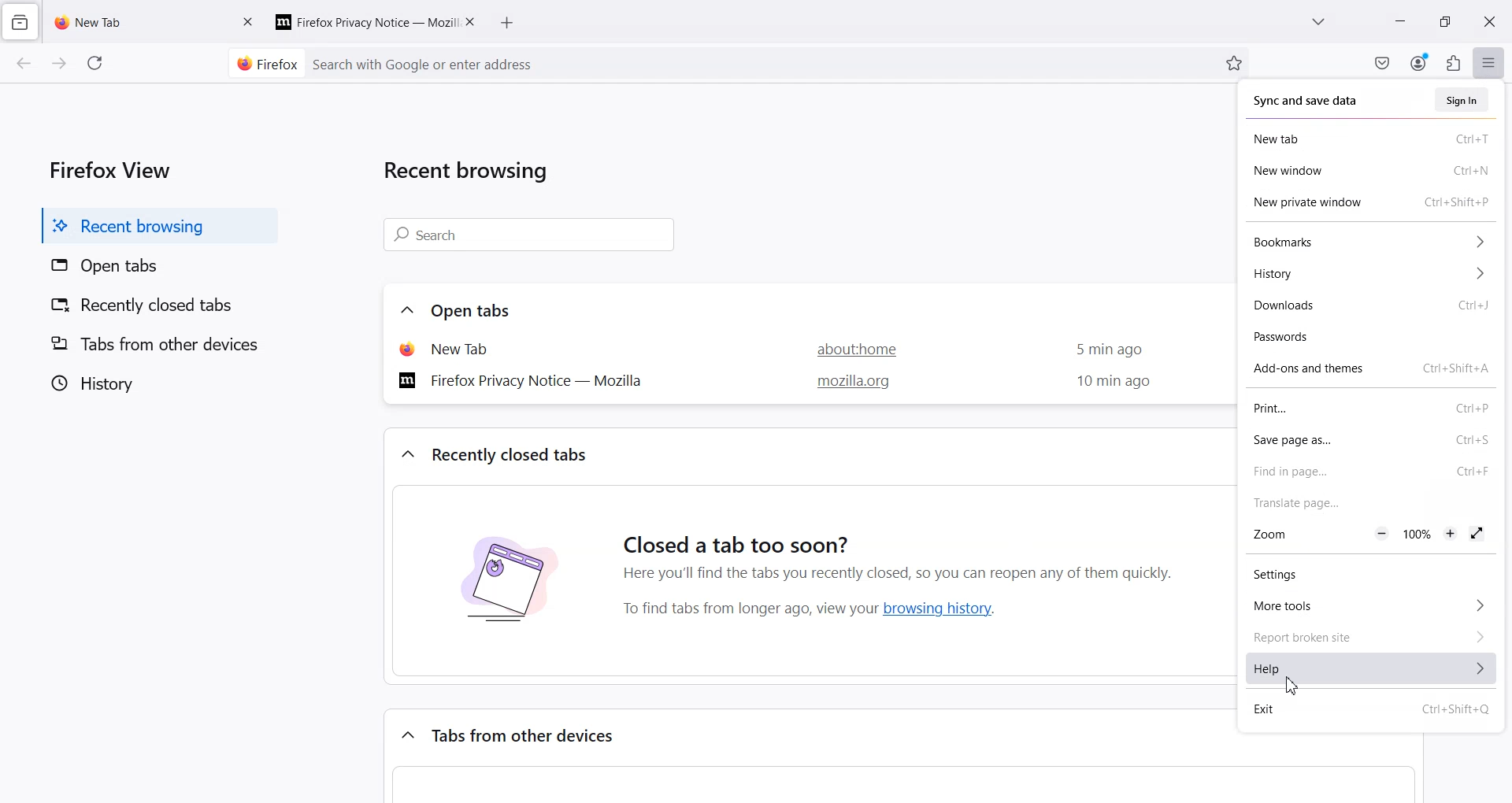 Image resolution: width=1512 pixels, height=803 pixels. I want to click on Add-ons and themes, so click(1369, 370).